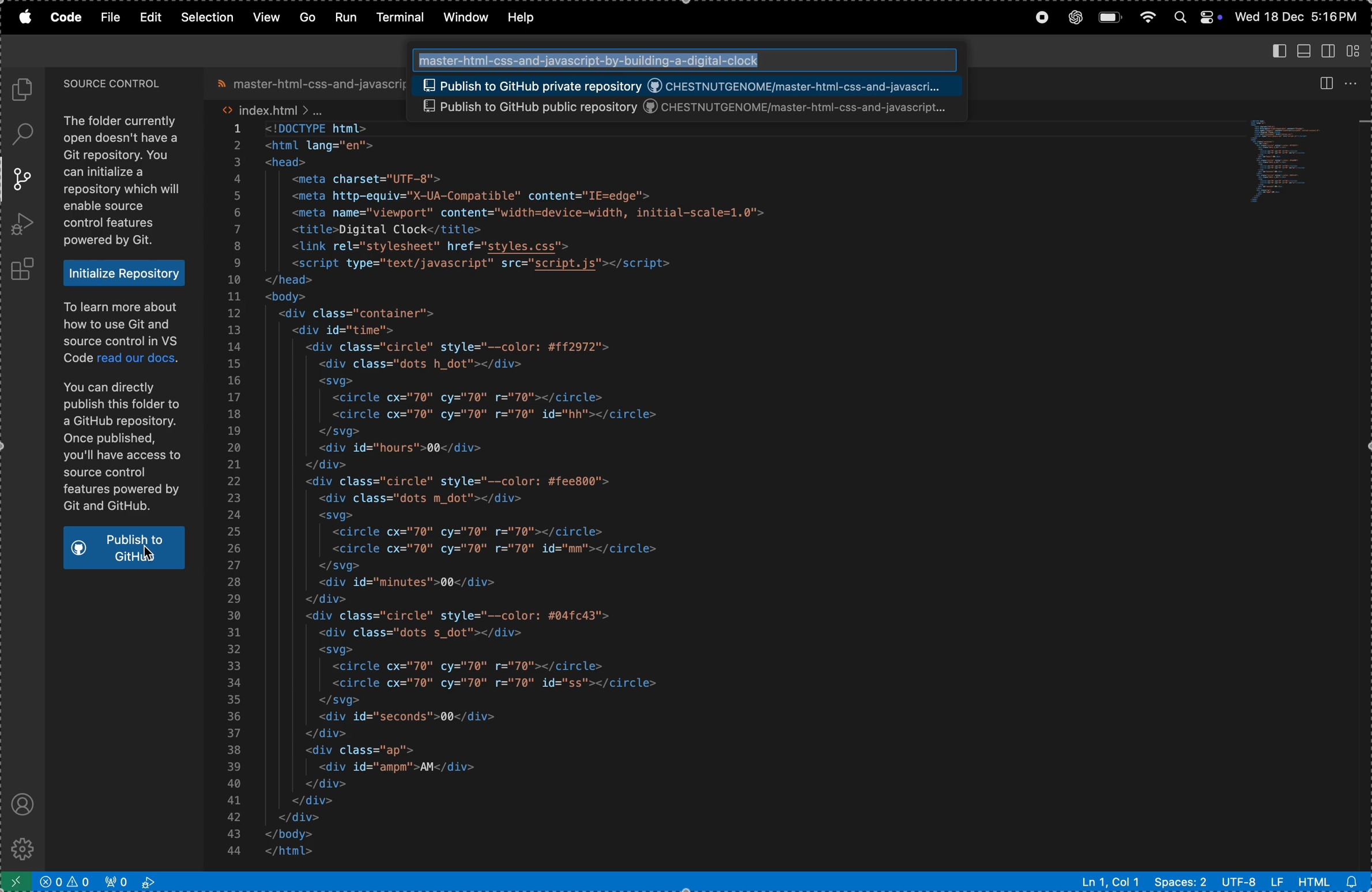 Image resolution: width=1372 pixels, height=892 pixels. Describe the element at coordinates (125, 274) in the screenshot. I see `Initialize Repository` at that location.